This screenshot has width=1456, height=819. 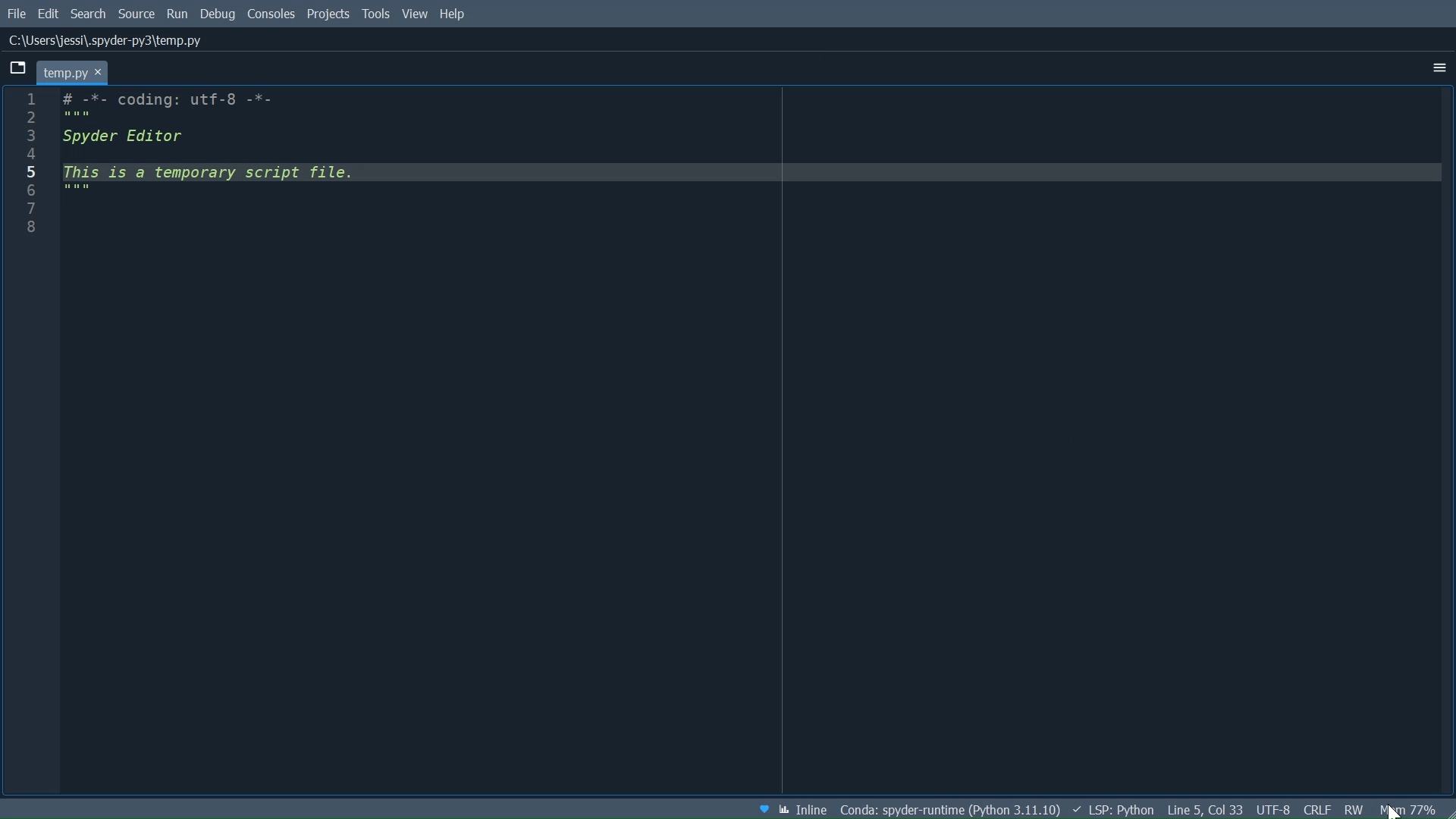 What do you see at coordinates (329, 15) in the screenshot?
I see `Projects` at bounding box center [329, 15].